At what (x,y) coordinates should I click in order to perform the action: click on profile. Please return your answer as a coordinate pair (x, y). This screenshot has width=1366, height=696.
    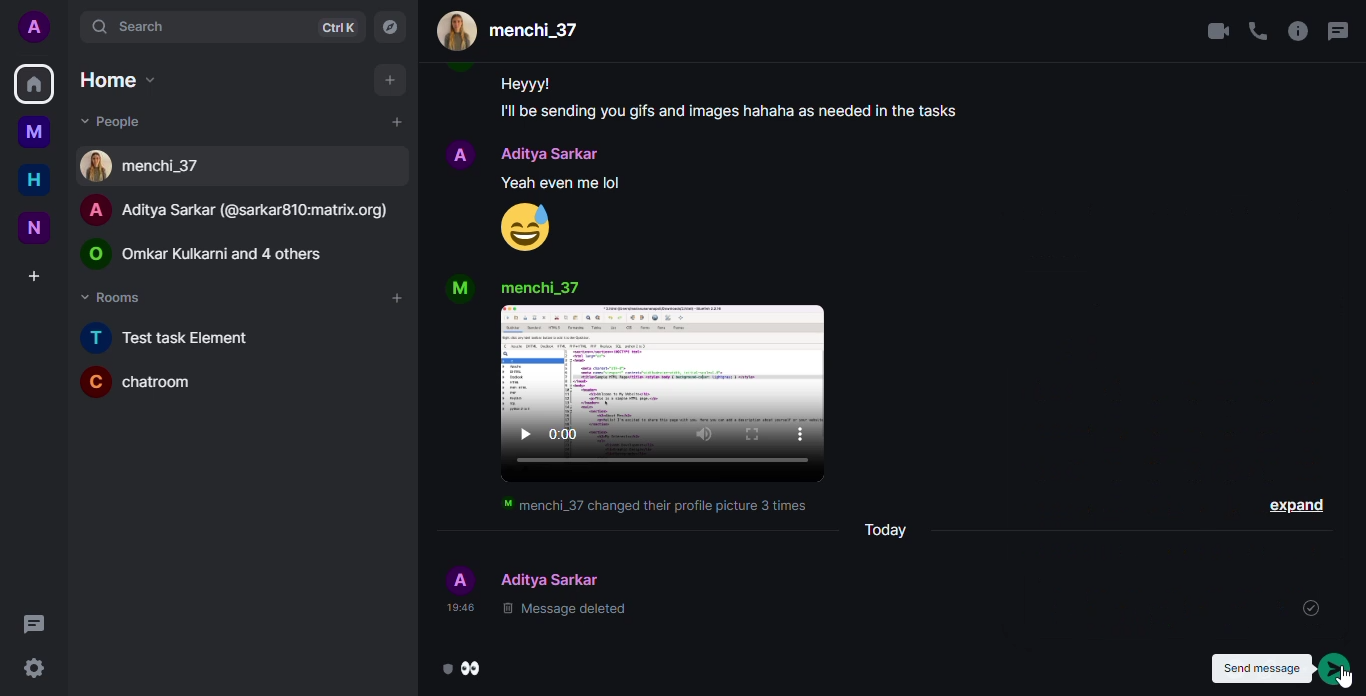
    Looking at the image, I should click on (460, 151).